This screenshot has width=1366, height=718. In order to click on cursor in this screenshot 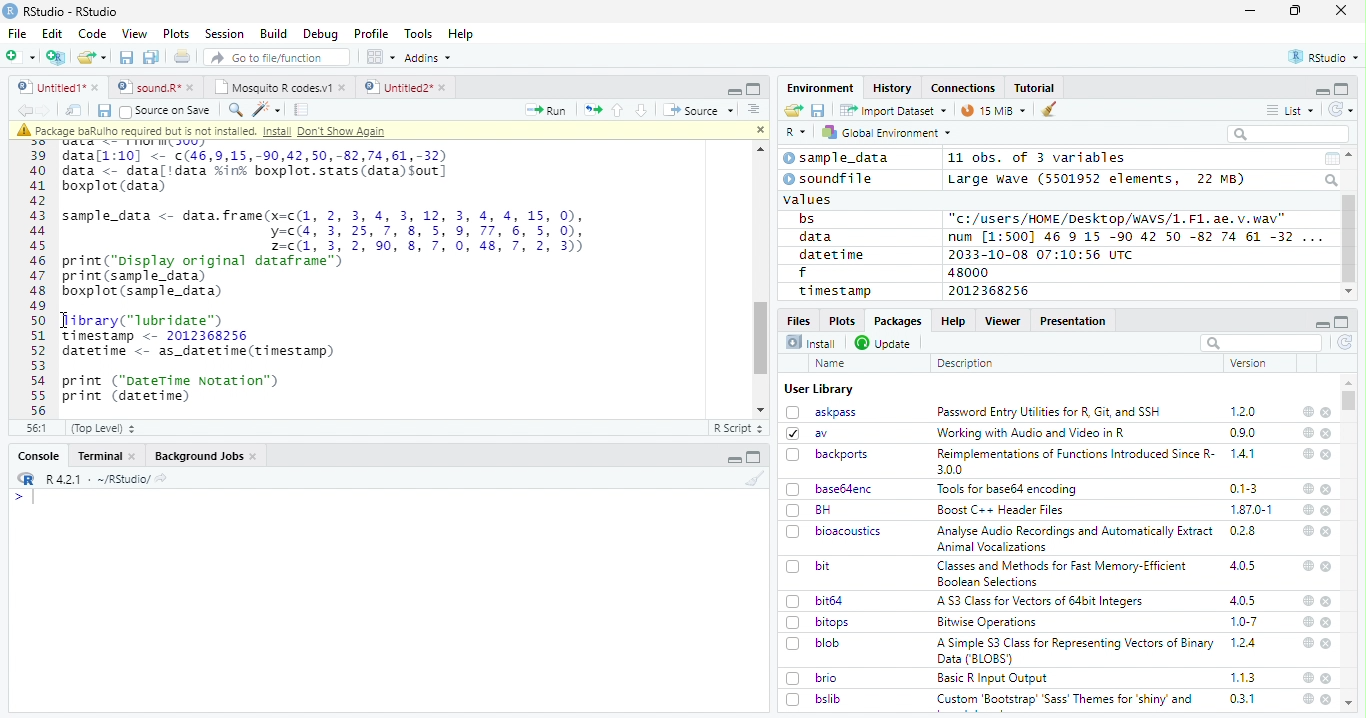, I will do `click(69, 321)`.